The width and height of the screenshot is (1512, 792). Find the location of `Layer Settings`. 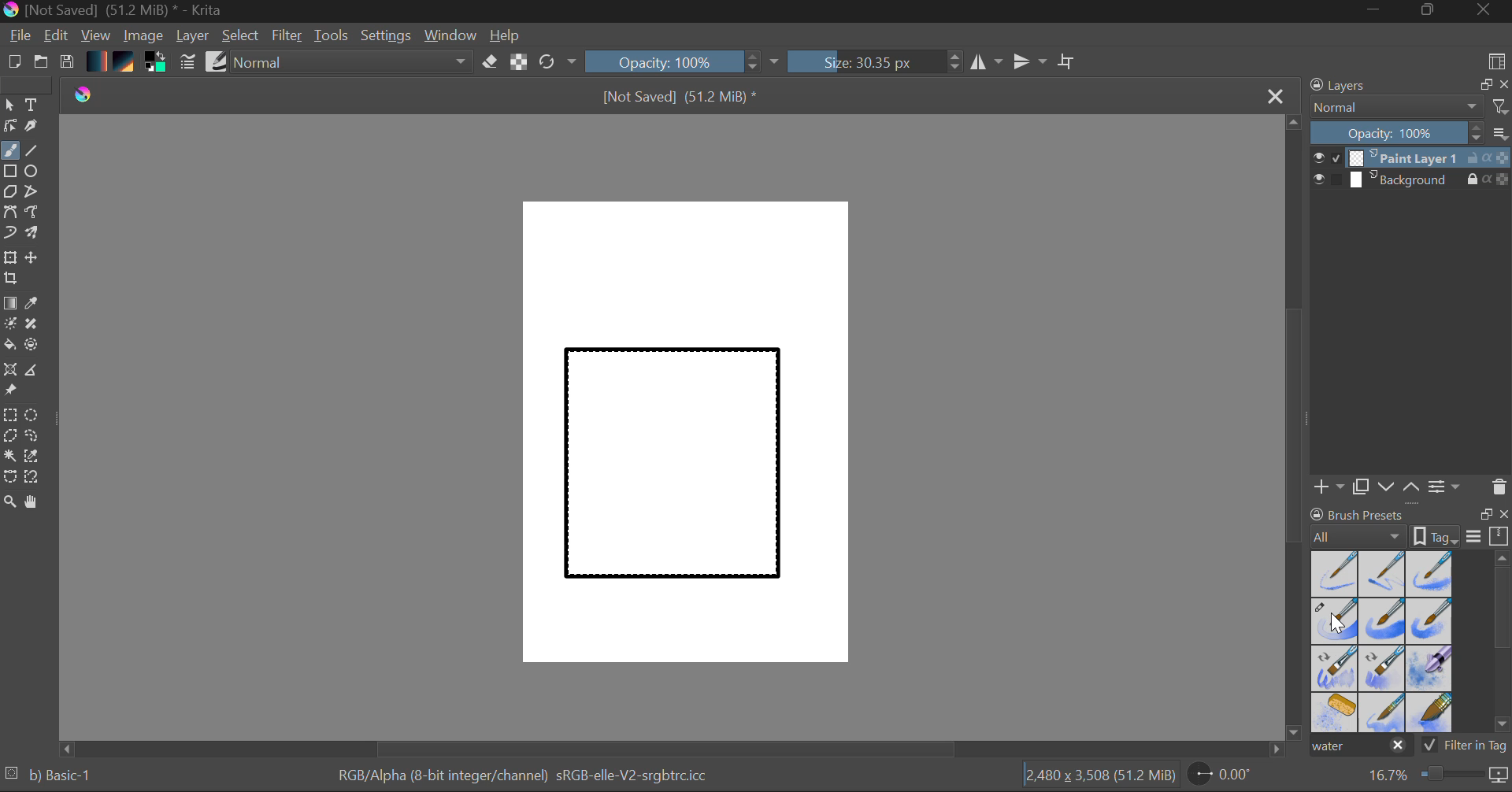

Layer Settings is located at coordinates (1445, 486).